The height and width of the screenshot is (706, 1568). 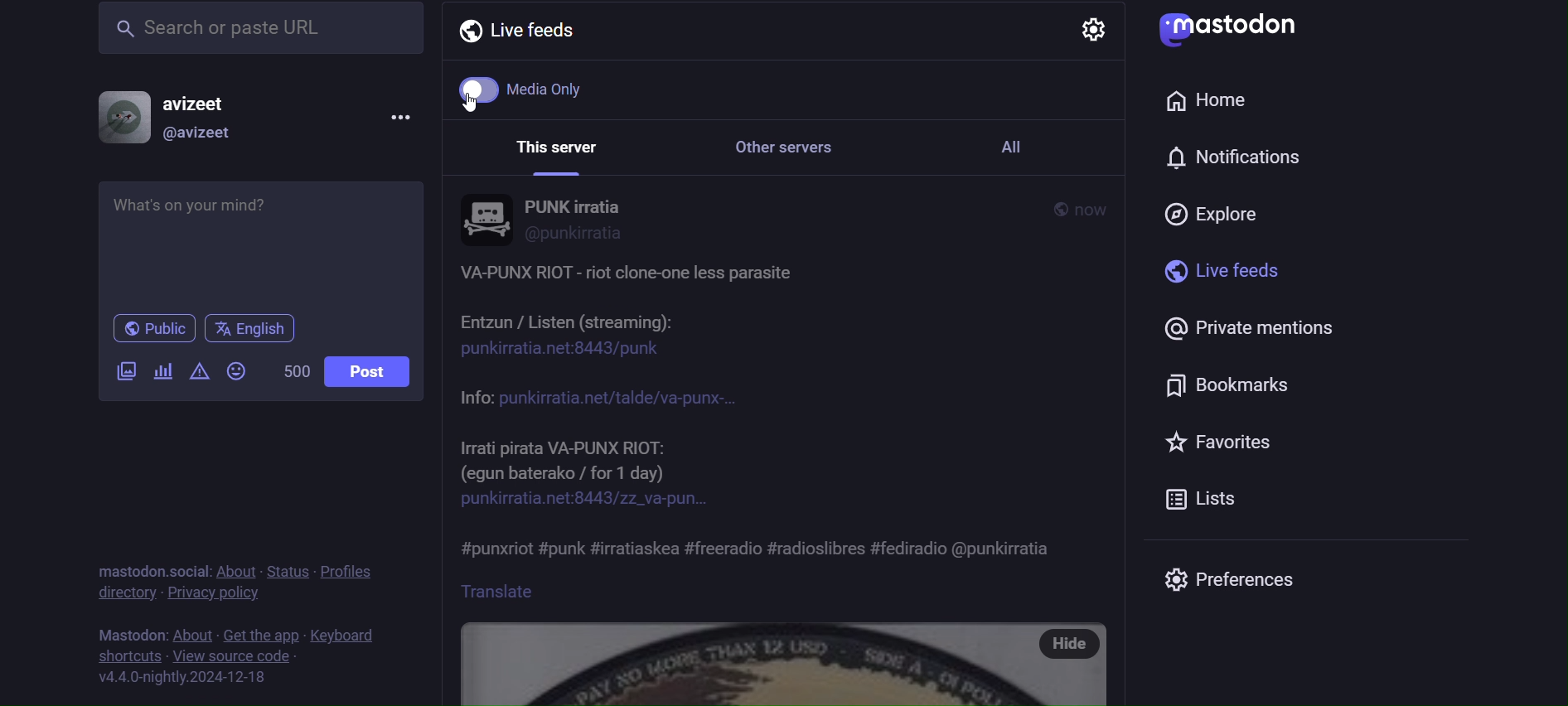 I want to click on about, so click(x=188, y=628).